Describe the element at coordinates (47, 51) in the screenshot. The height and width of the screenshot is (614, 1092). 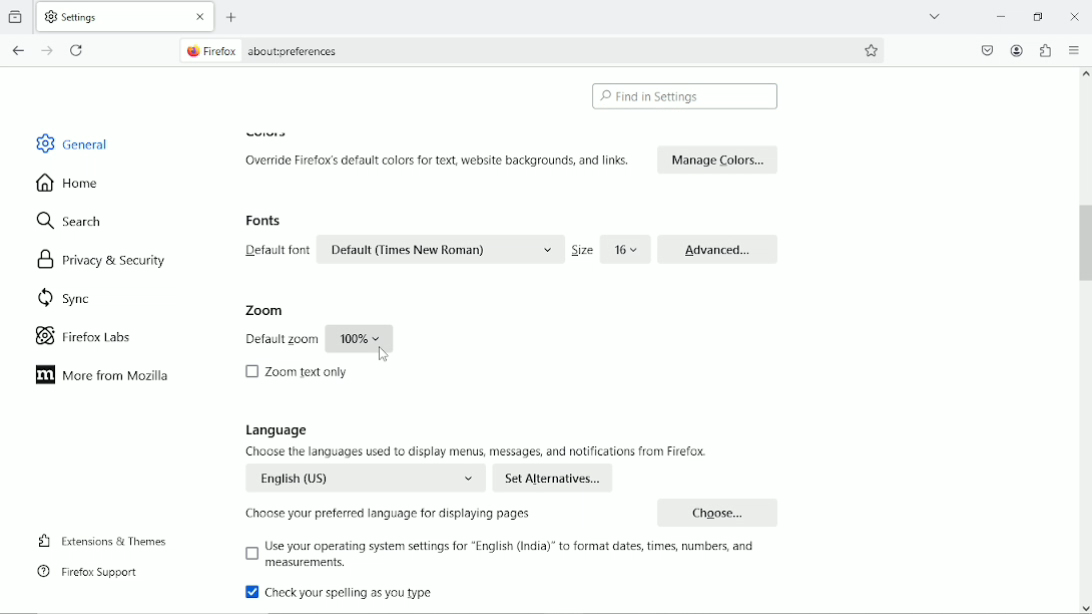
I see `go forward` at that location.